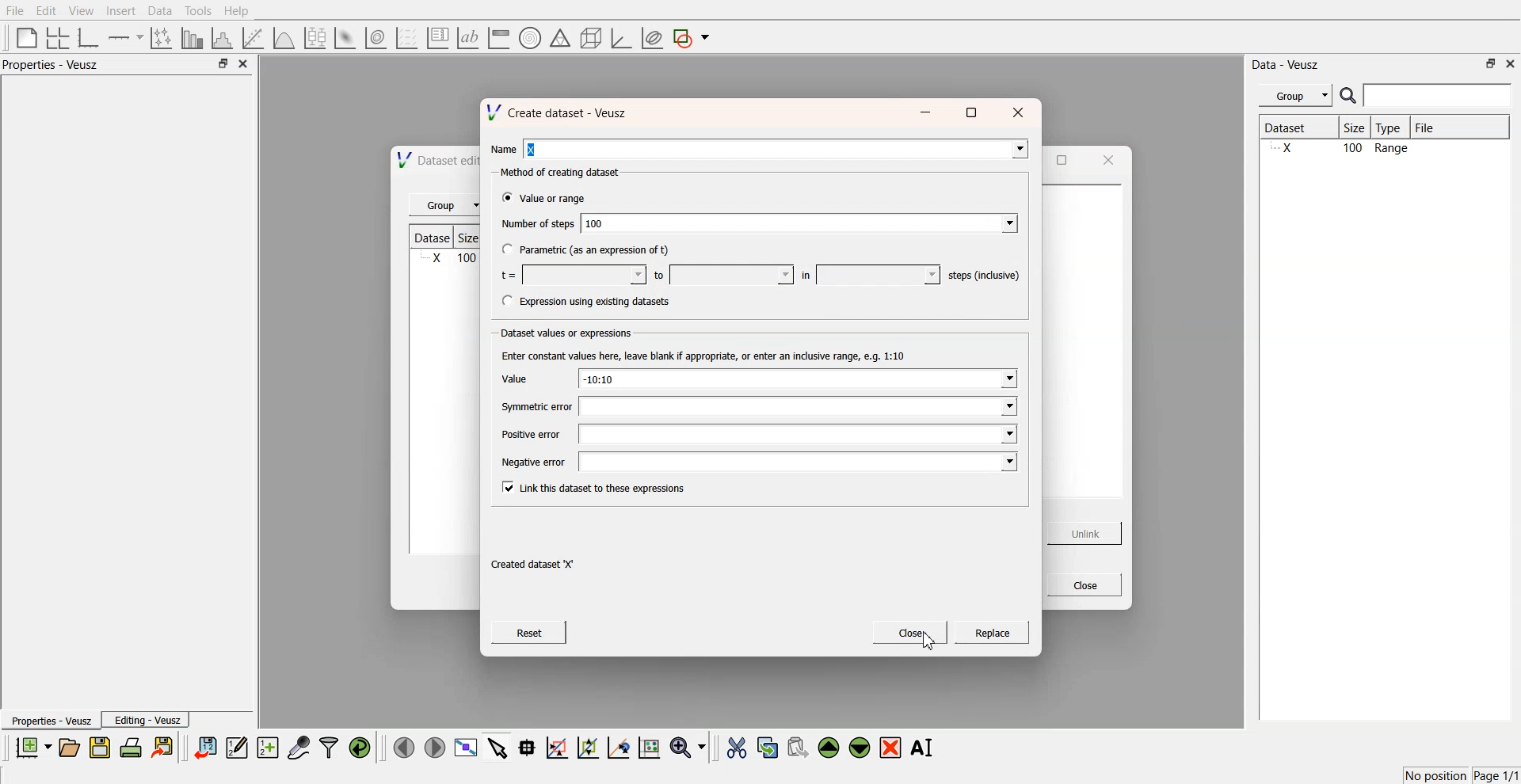 The image size is (1521, 784). Describe the element at coordinates (892, 748) in the screenshot. I see `remove the selected widgets` at that location.